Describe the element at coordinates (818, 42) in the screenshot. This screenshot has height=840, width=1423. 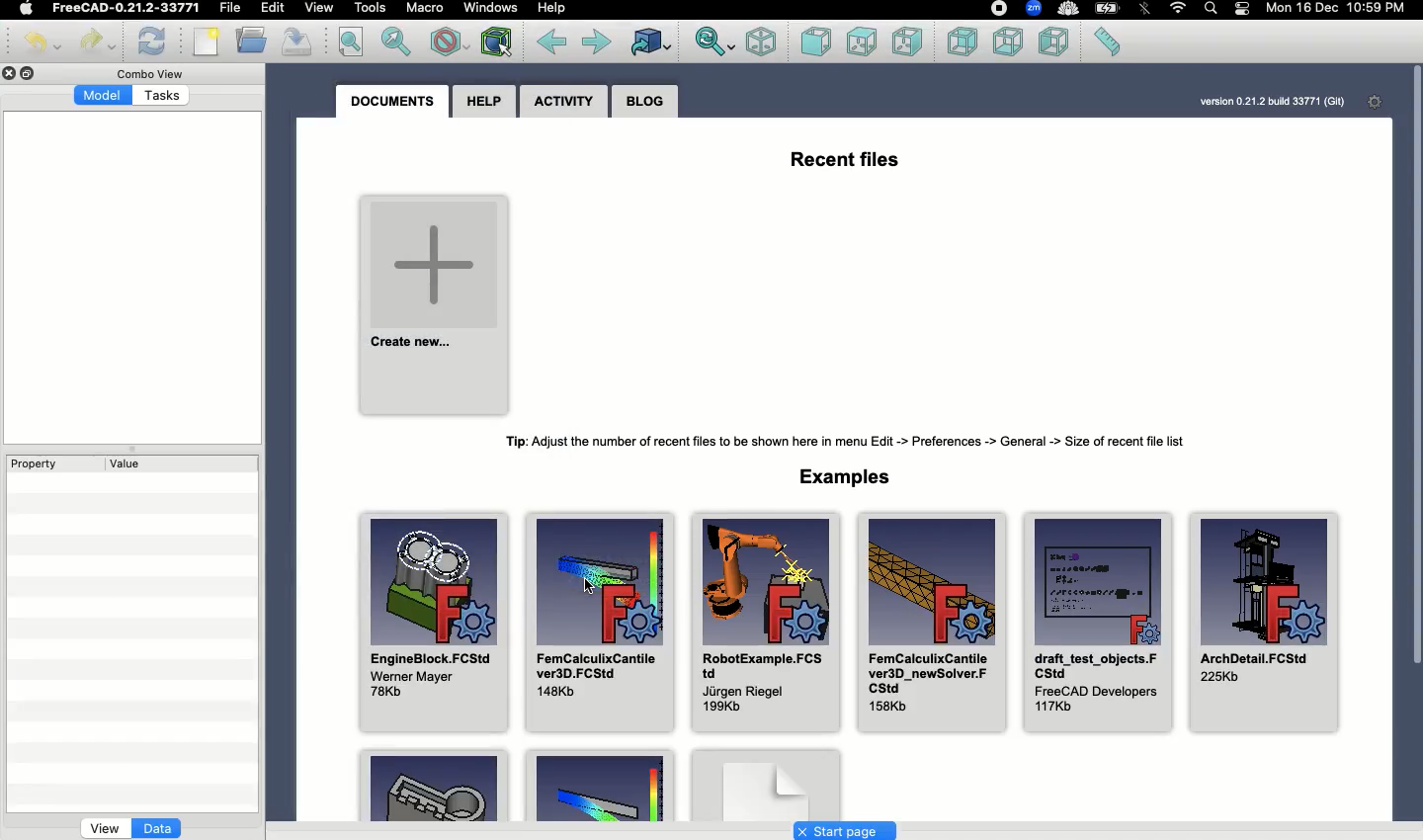
I see `Front` at that location.